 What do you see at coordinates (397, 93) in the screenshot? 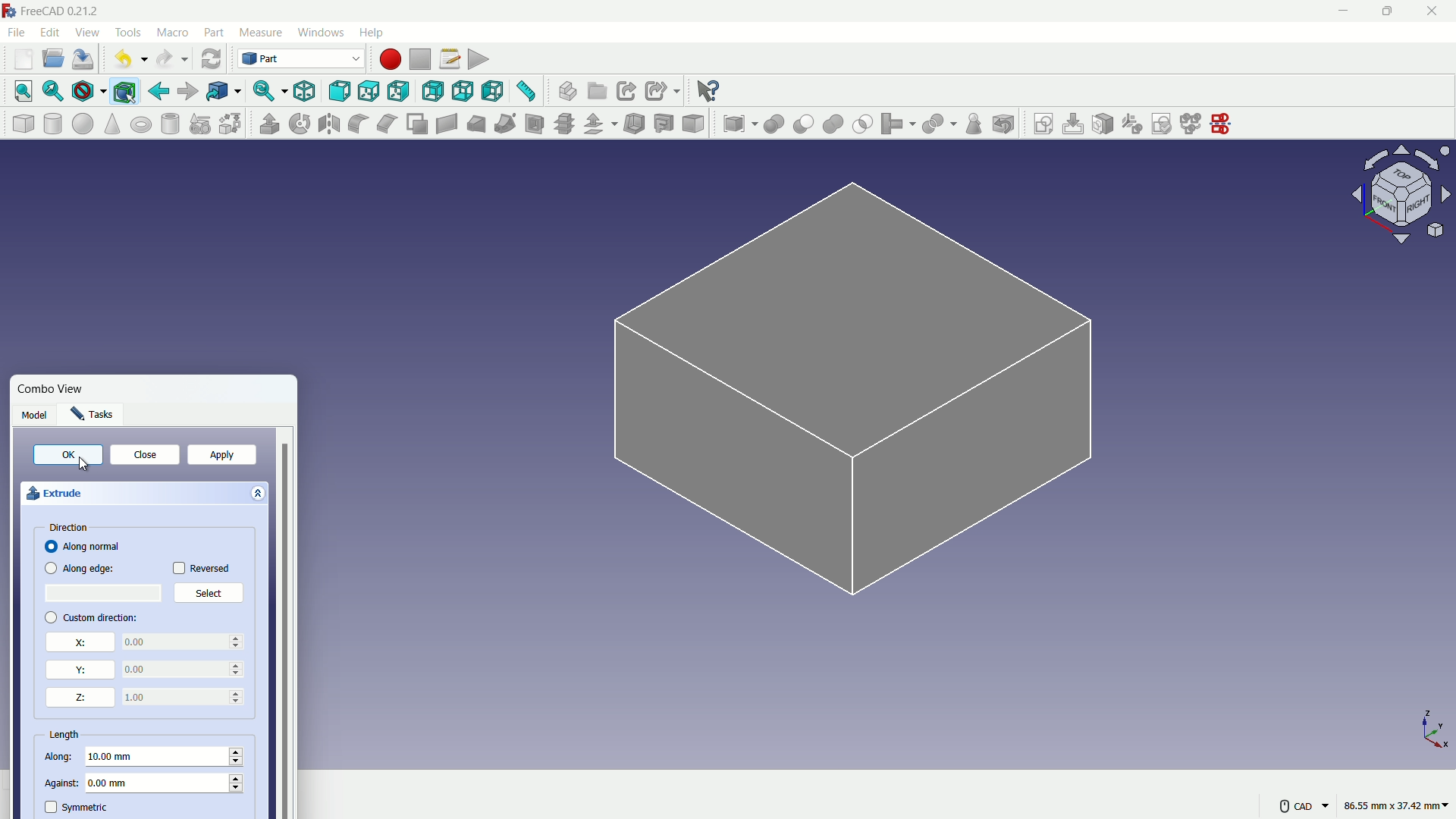
I see `right view` at bounding box center [397, 93].